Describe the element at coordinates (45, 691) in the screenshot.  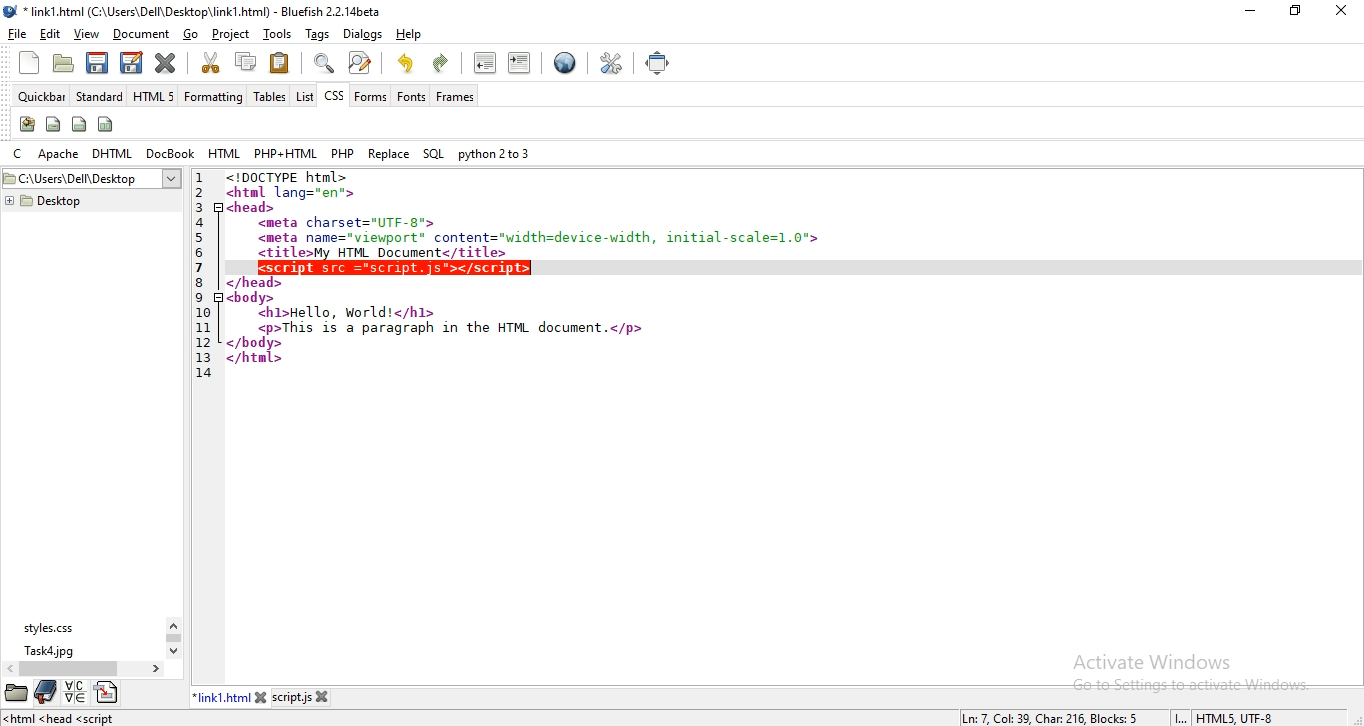
I see `bookmark` at that location.